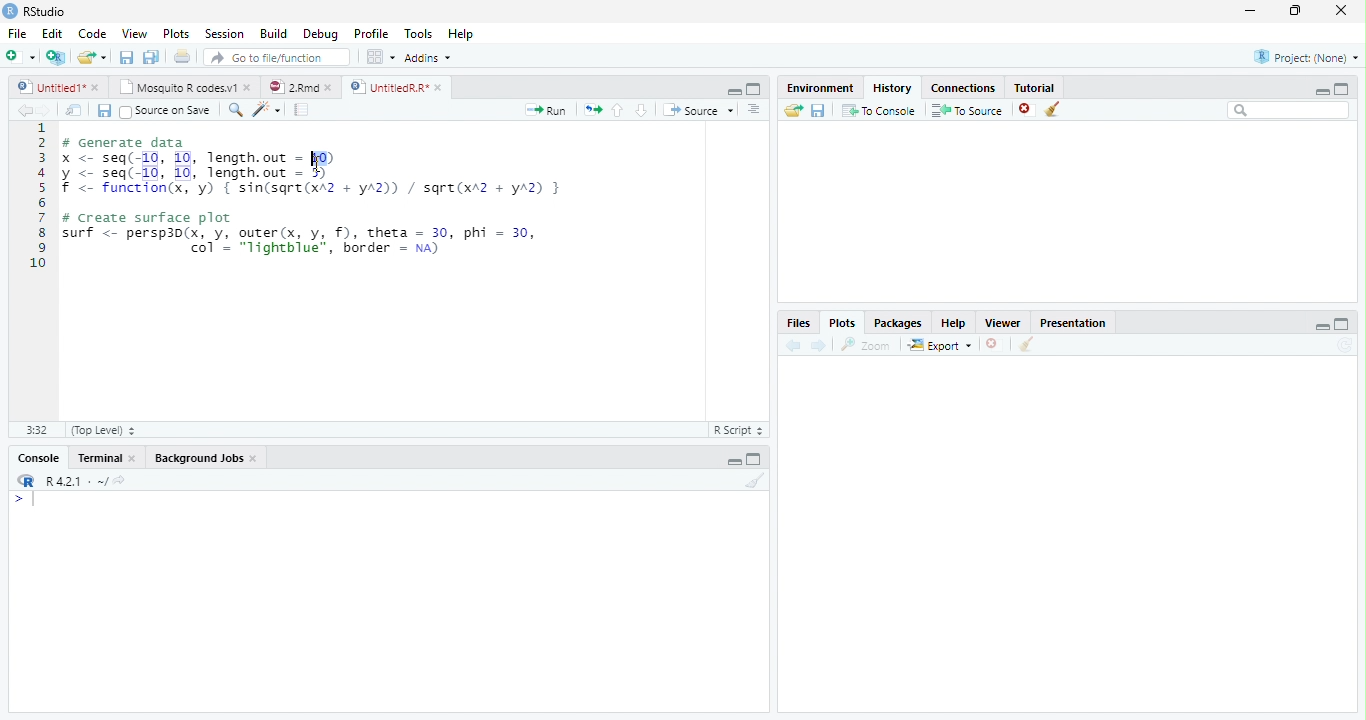  What do you see at coordinates (320, 33) in the screenshot?
I see `Debug` at bounding box center [320, 33].